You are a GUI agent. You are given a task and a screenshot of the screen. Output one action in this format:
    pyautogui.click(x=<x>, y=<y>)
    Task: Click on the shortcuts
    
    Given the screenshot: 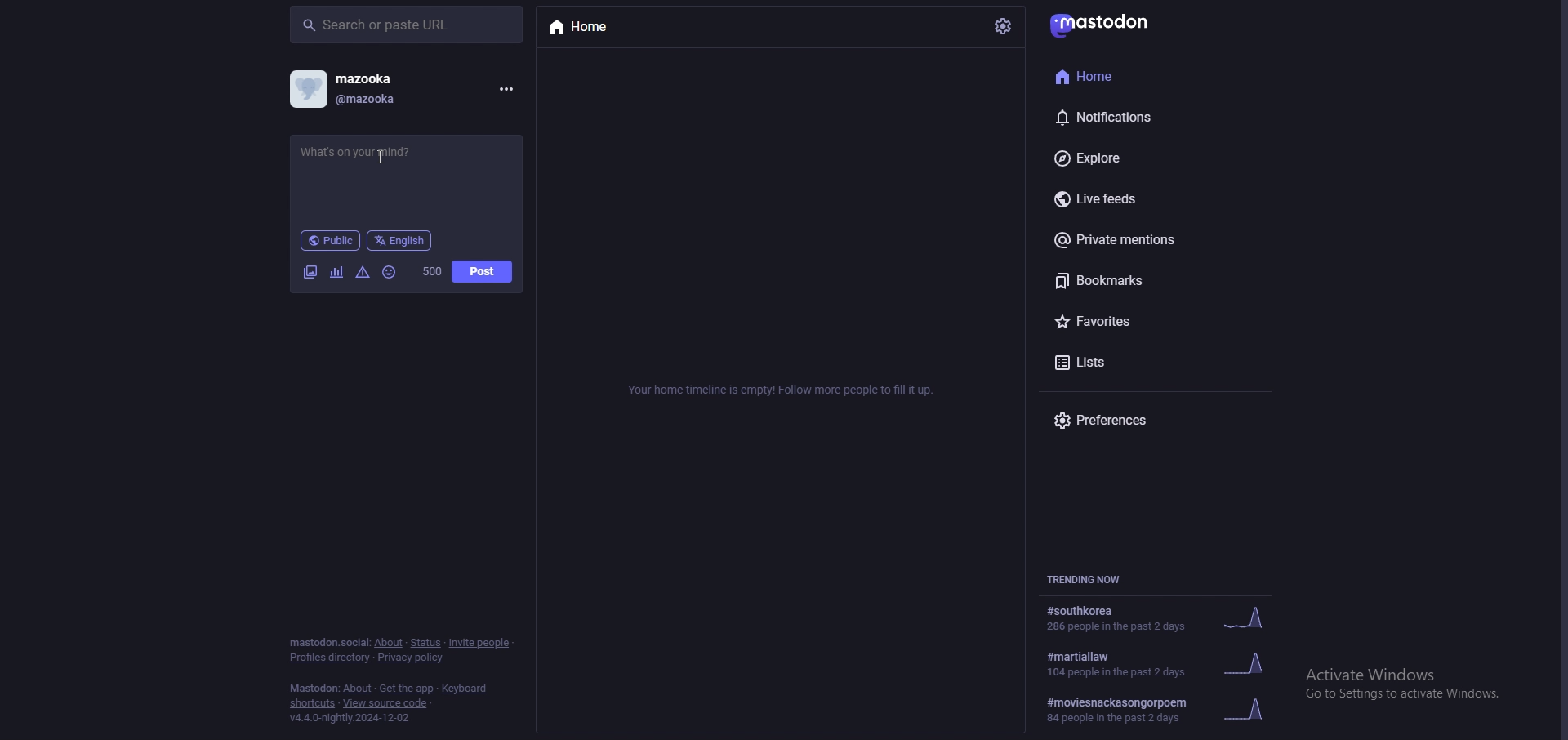 What is the action you would take?
    pyautogui.click(x=311, y=704)
    